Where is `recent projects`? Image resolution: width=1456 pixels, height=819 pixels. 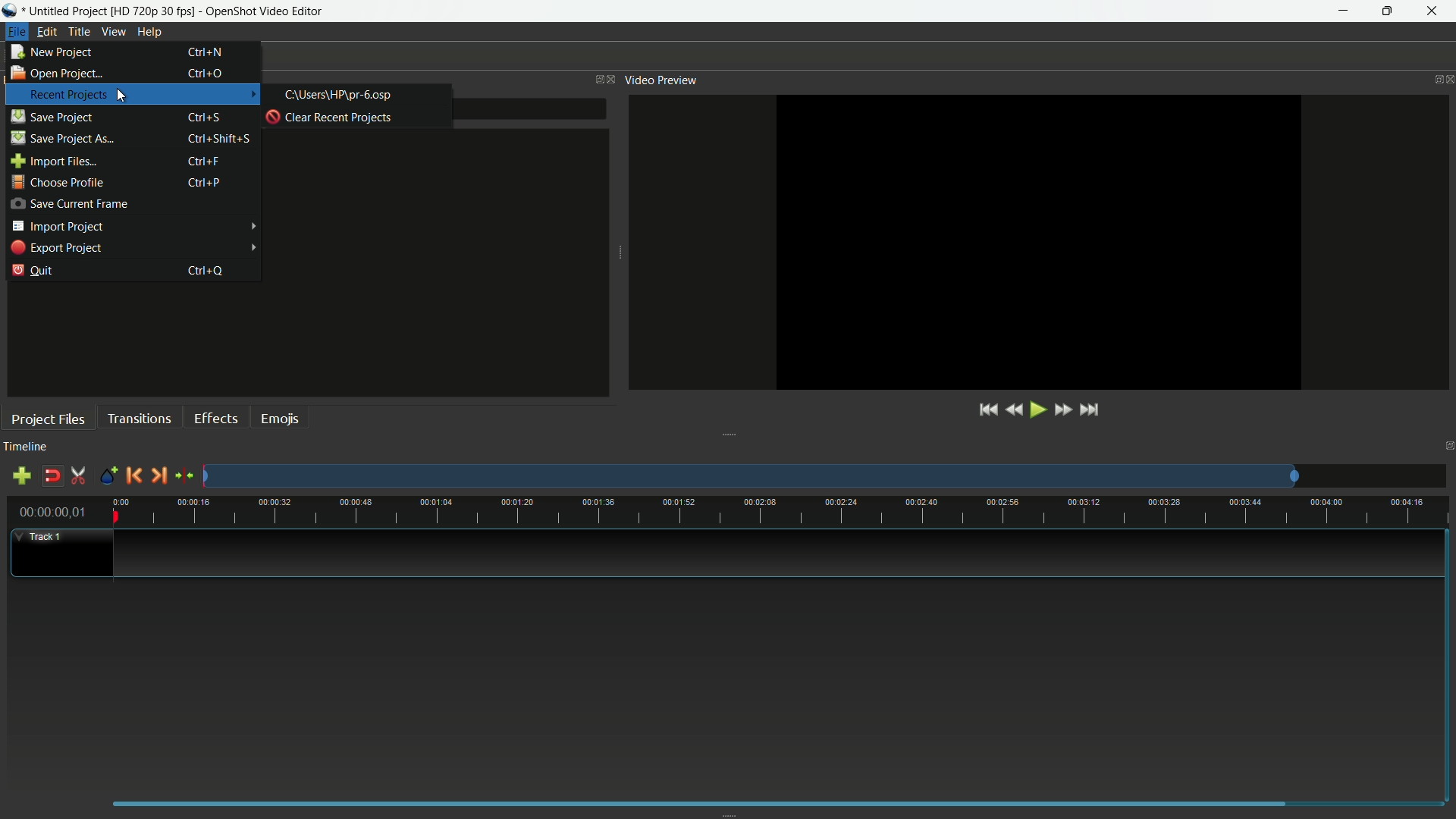 recent projects is located at coordinates (68, 95).